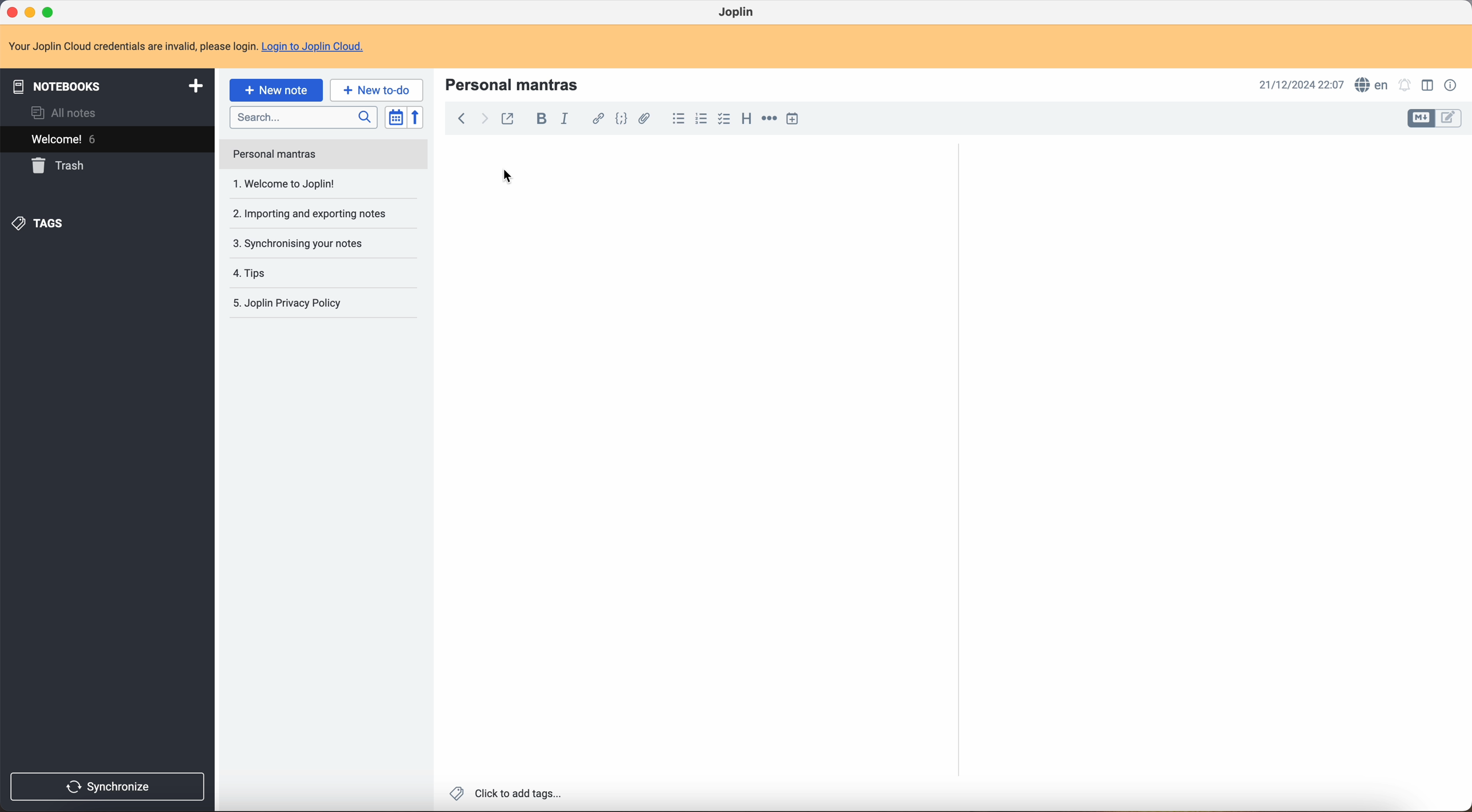  What do you see at coordinates (622, 121) in the screenshot?
I see `code` at bounding box center [622, 121].